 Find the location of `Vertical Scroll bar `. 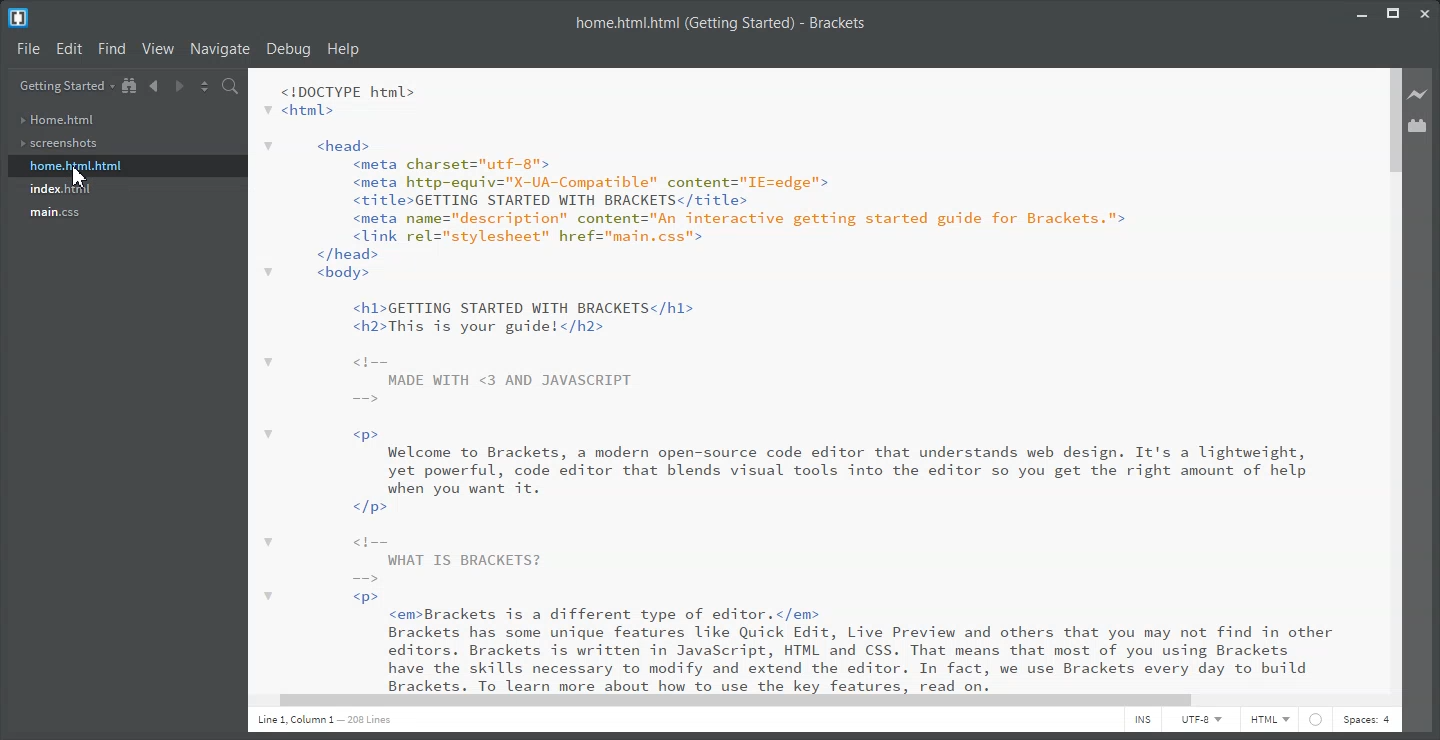

Vertical Scroll bar  is located at coordinates (1393, 379).